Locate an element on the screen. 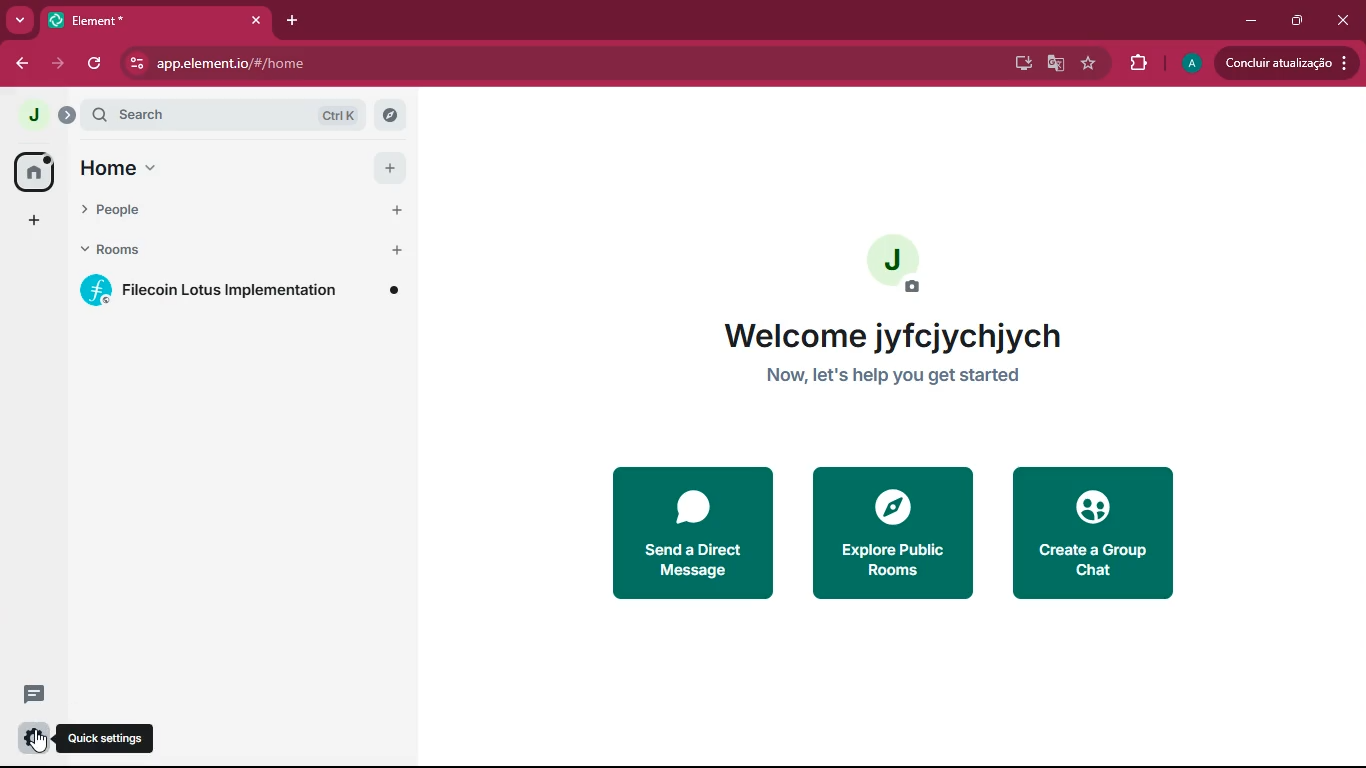 This screenshot has width=1366, height=768. room is located at coordinates (243, 290).